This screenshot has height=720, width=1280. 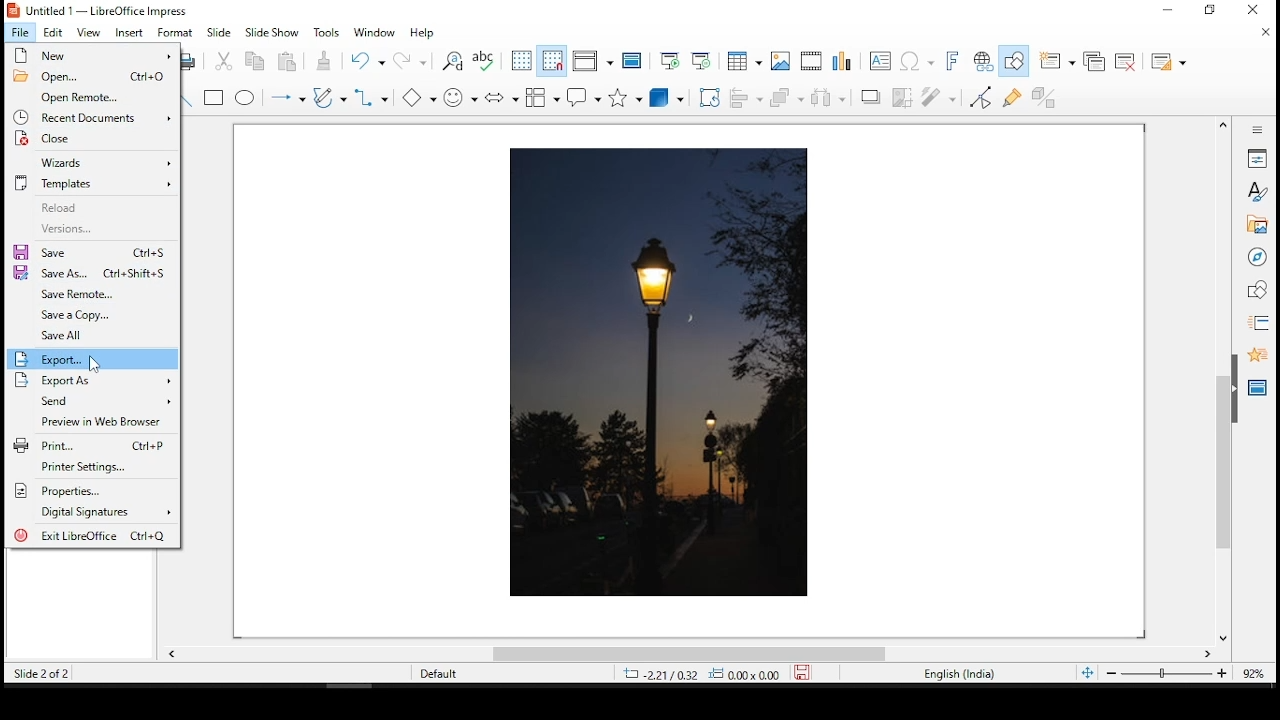 What do you see at coordinates (255, 63) in the screenshot?
I see `copy` at bounding box center [255, 63].